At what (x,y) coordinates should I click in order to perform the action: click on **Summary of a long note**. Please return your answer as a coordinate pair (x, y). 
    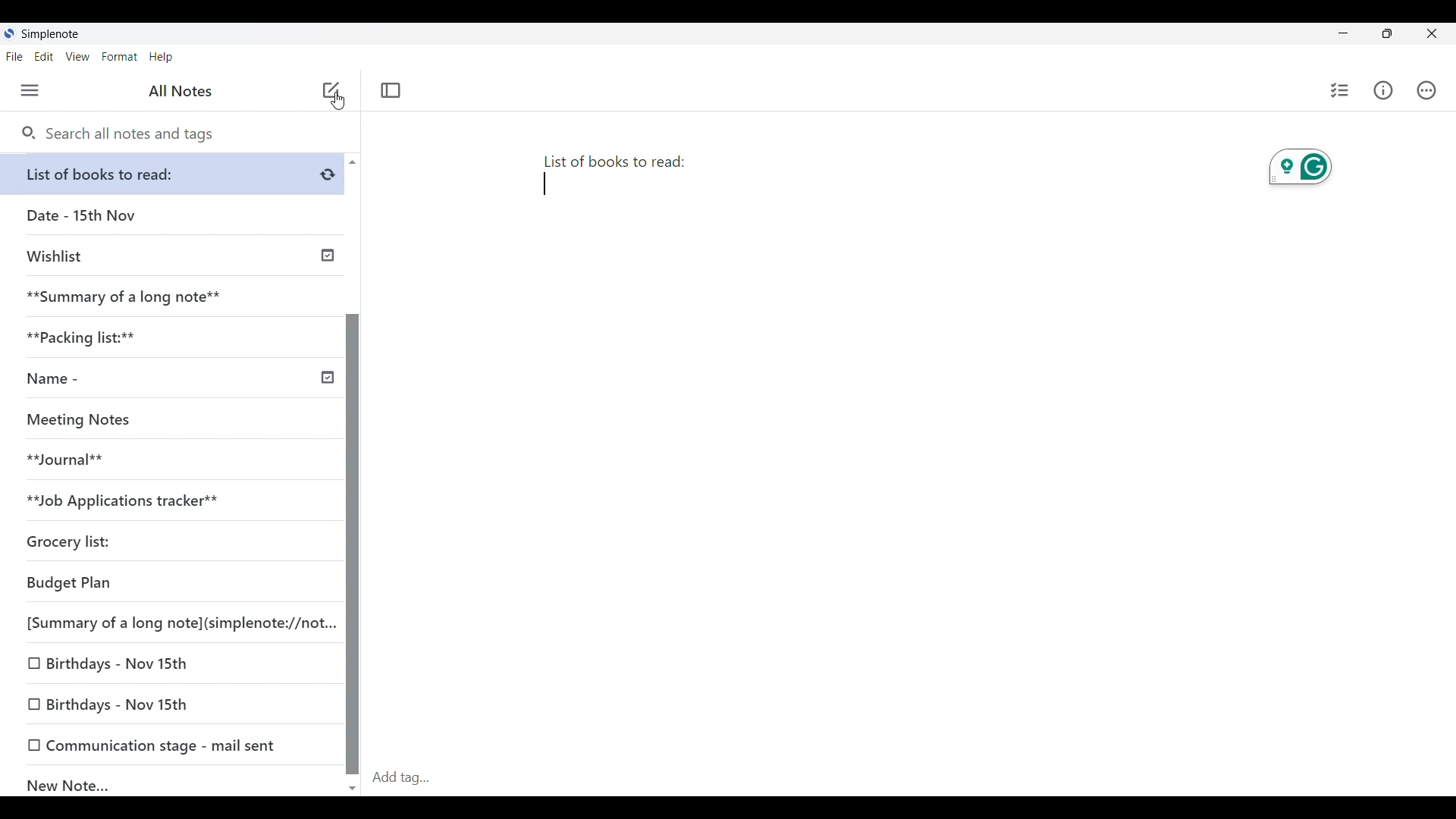
    Looking at the image, I should click on (172, 297).